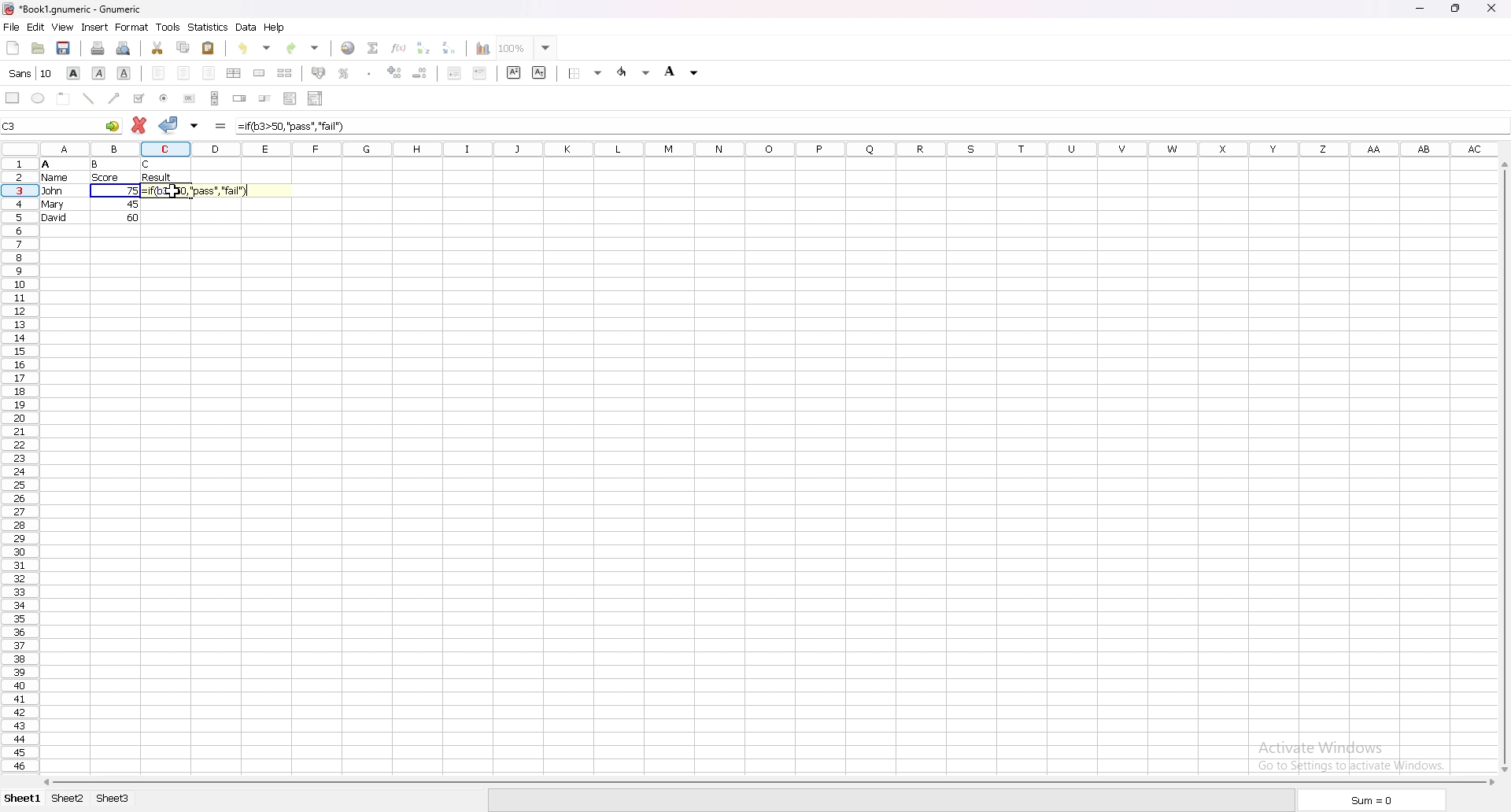  I want to click on insert, so click(94, 28).